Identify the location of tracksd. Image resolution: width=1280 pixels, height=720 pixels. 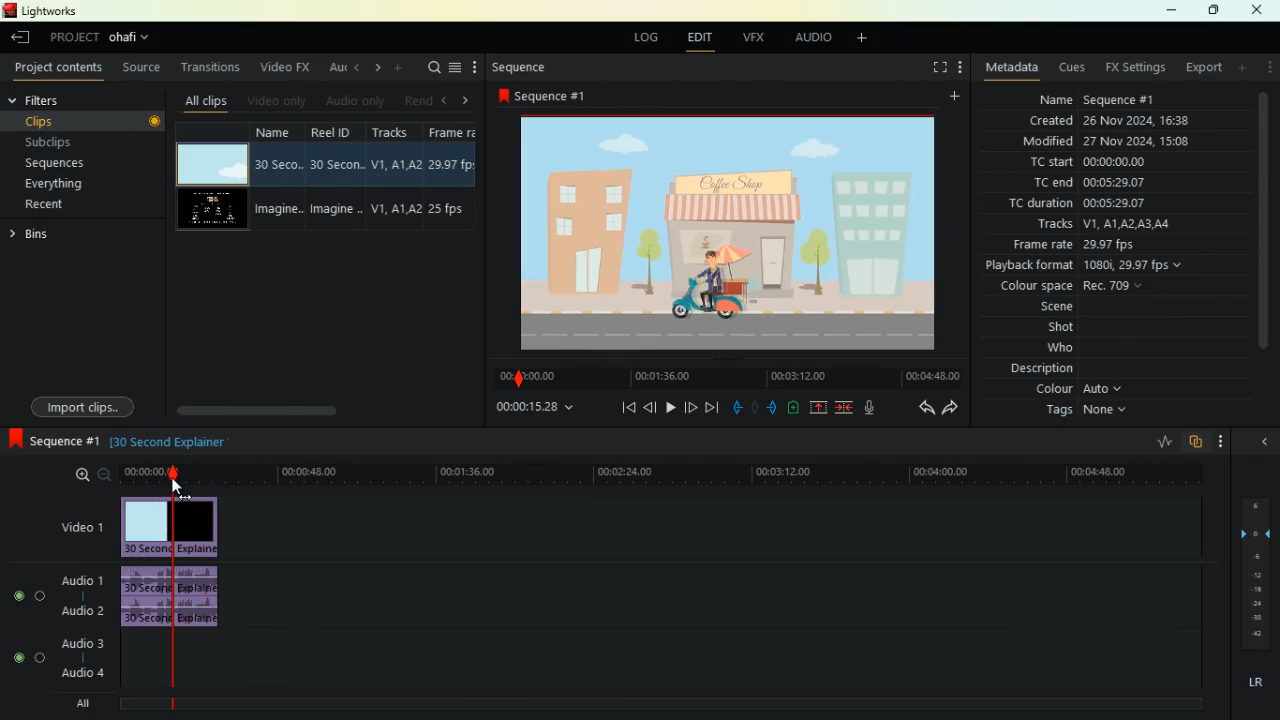
(396, 133).